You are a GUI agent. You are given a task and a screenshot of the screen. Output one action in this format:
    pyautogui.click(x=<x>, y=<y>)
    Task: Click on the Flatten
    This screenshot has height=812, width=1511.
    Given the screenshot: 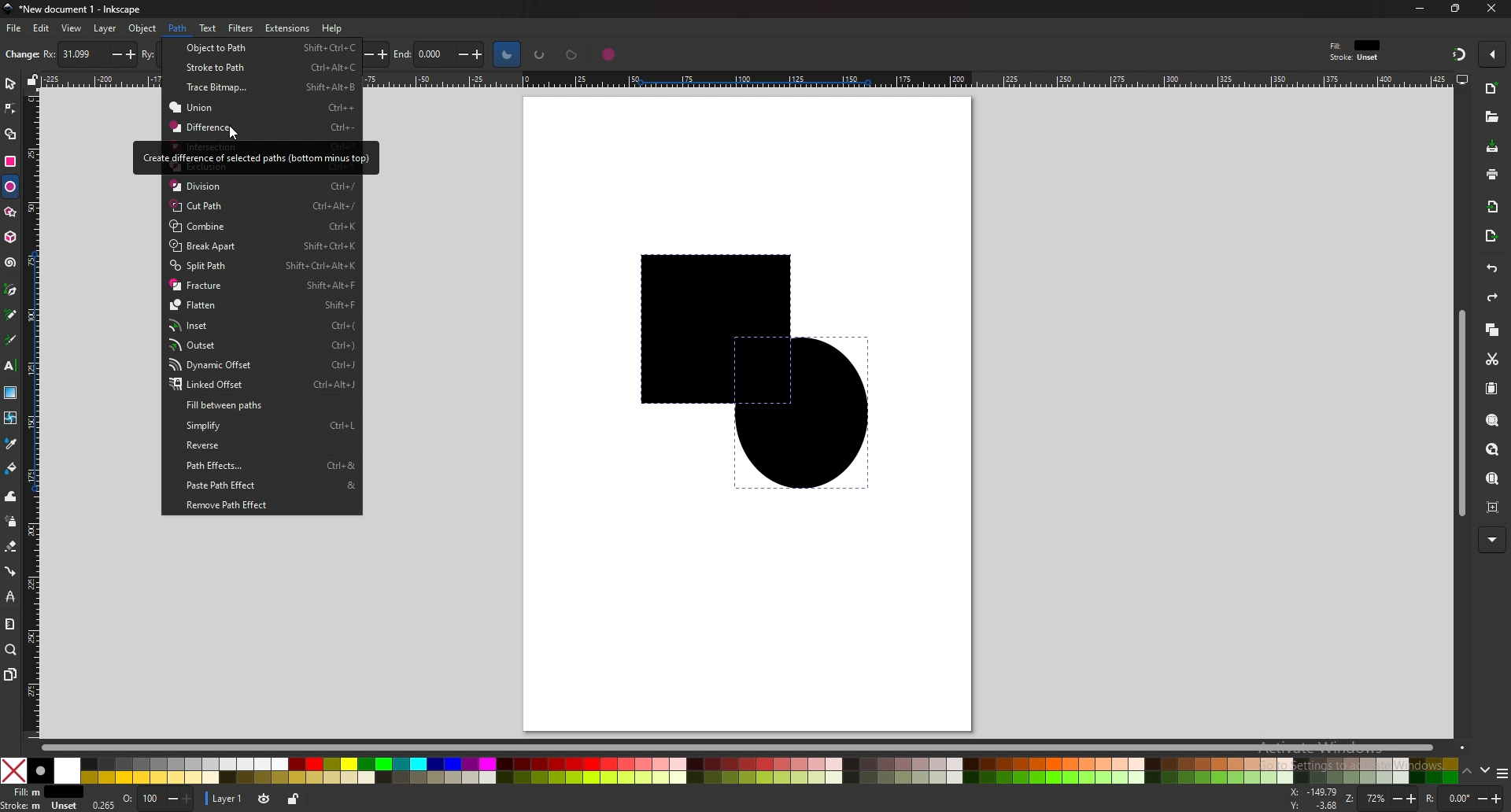 What is the action you would take?
    pyautogui.click(x=260, y=304)
    